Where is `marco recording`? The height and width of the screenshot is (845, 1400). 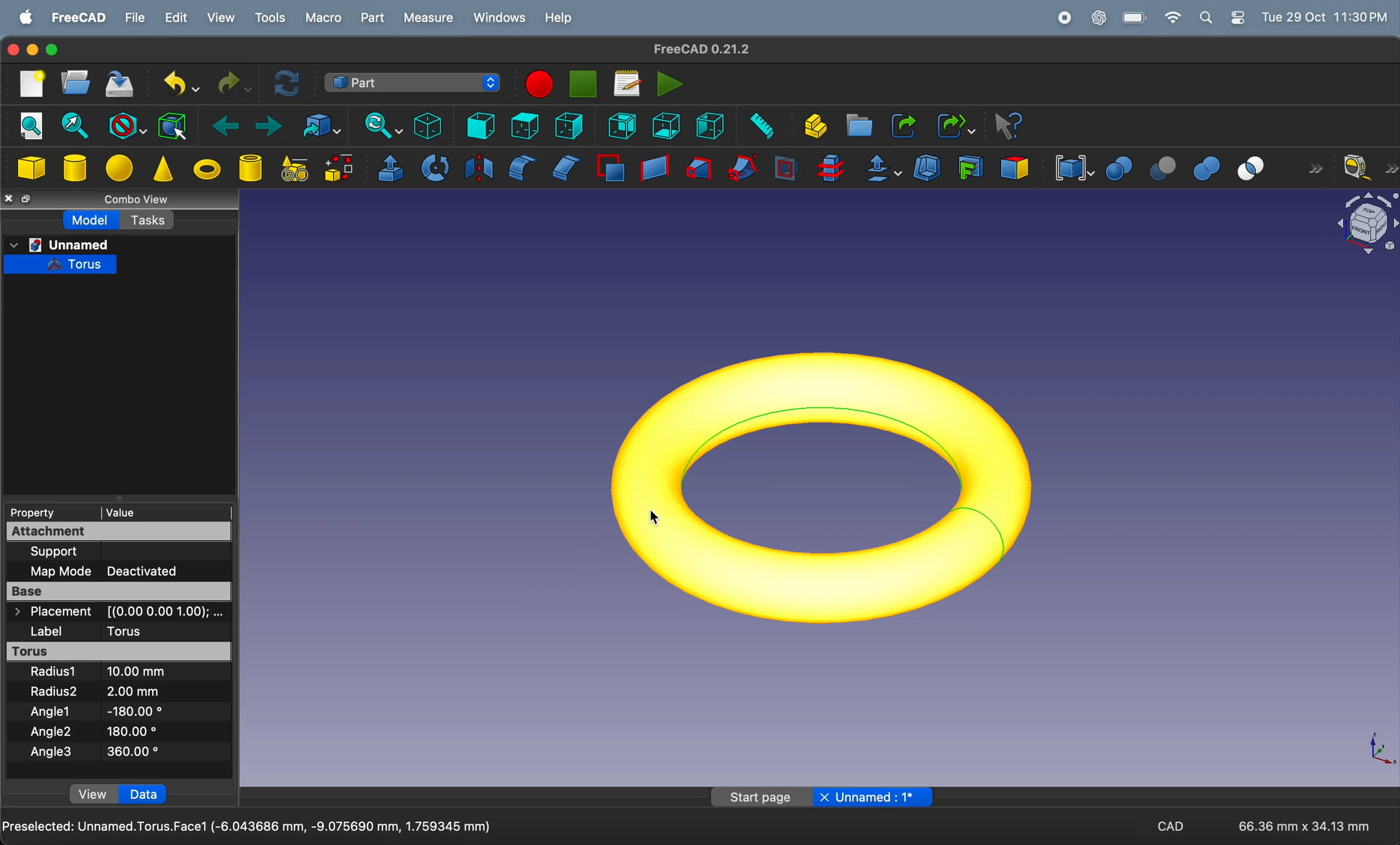 marco recording is located at coordinates (539, 84).